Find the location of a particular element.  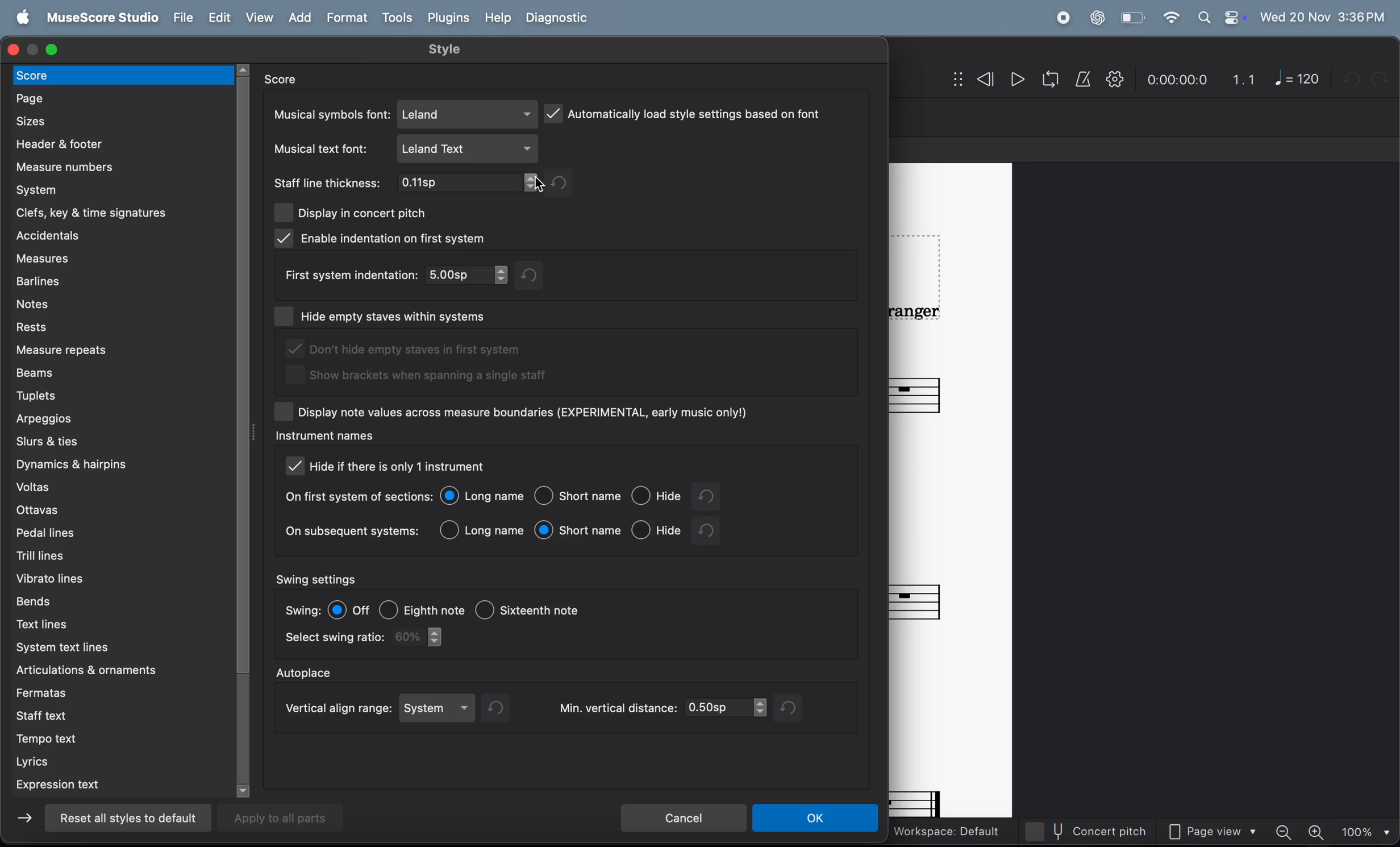

fermates is located at coordinates (116, 691).